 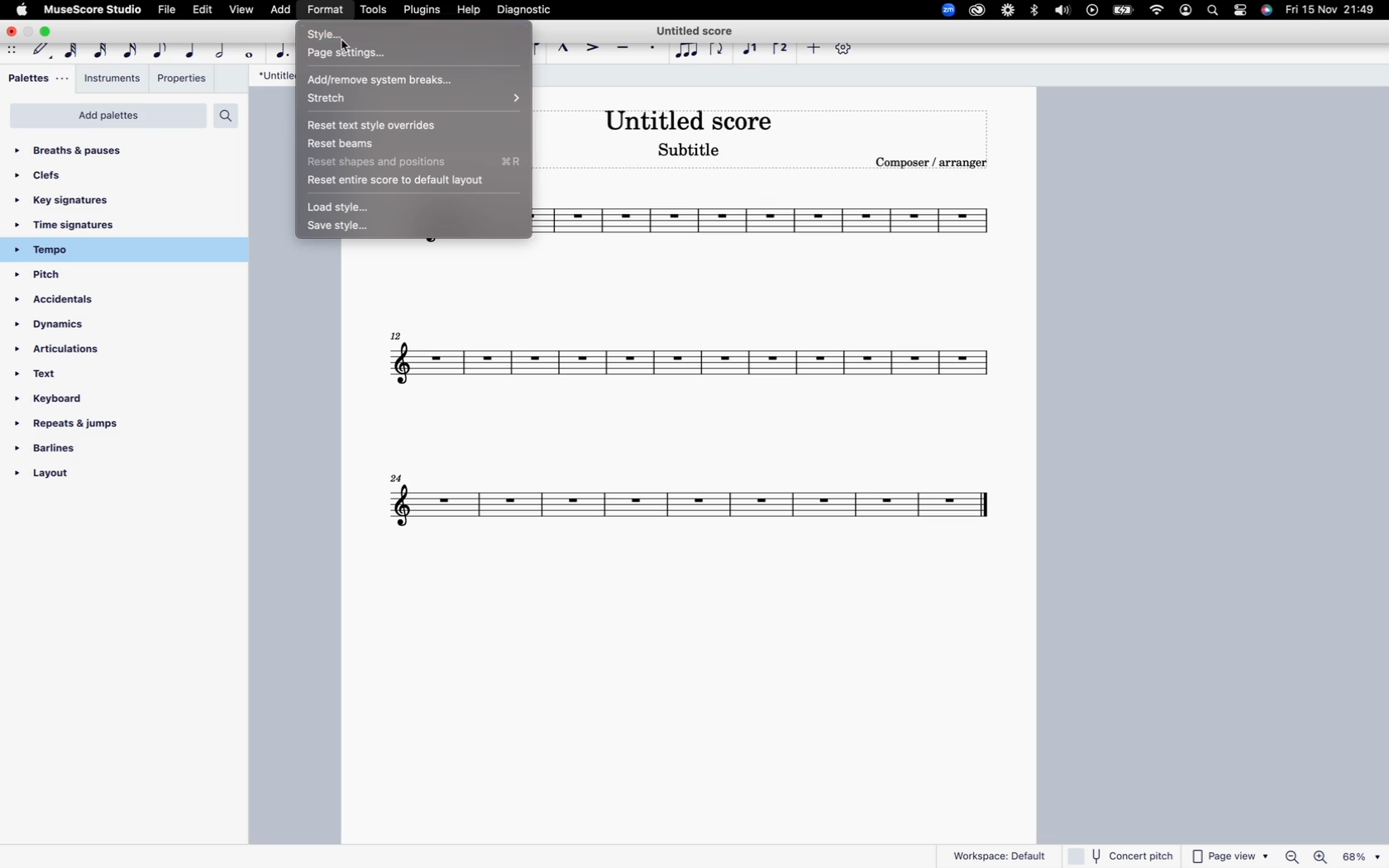 What do you see at coordinates (699, 27) in the screenshot?
I see `score title` at bounding box center [699, 27].